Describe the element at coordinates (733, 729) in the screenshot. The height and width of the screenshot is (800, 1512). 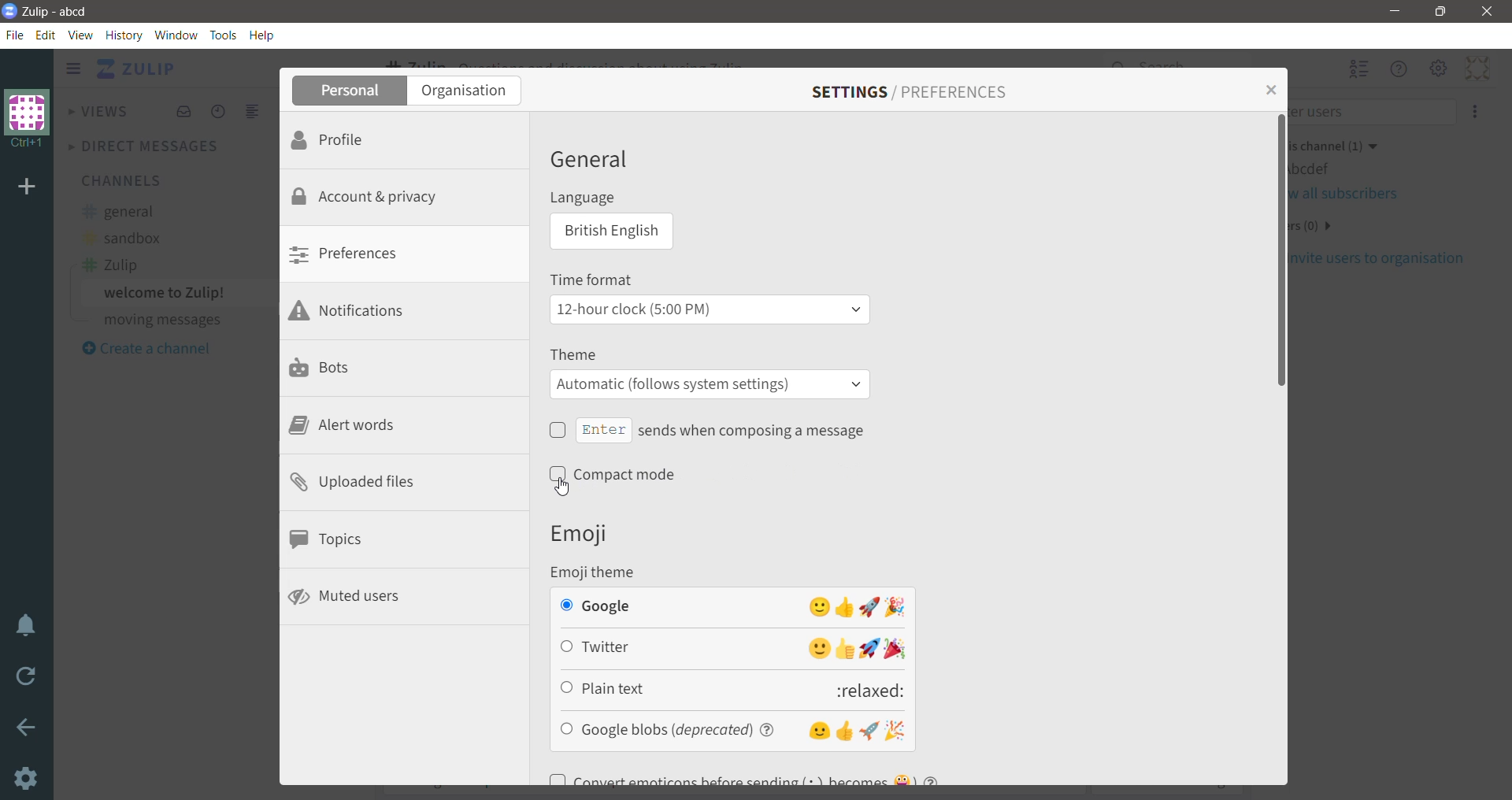
I see `Google blobs(deprecated)` at that location.